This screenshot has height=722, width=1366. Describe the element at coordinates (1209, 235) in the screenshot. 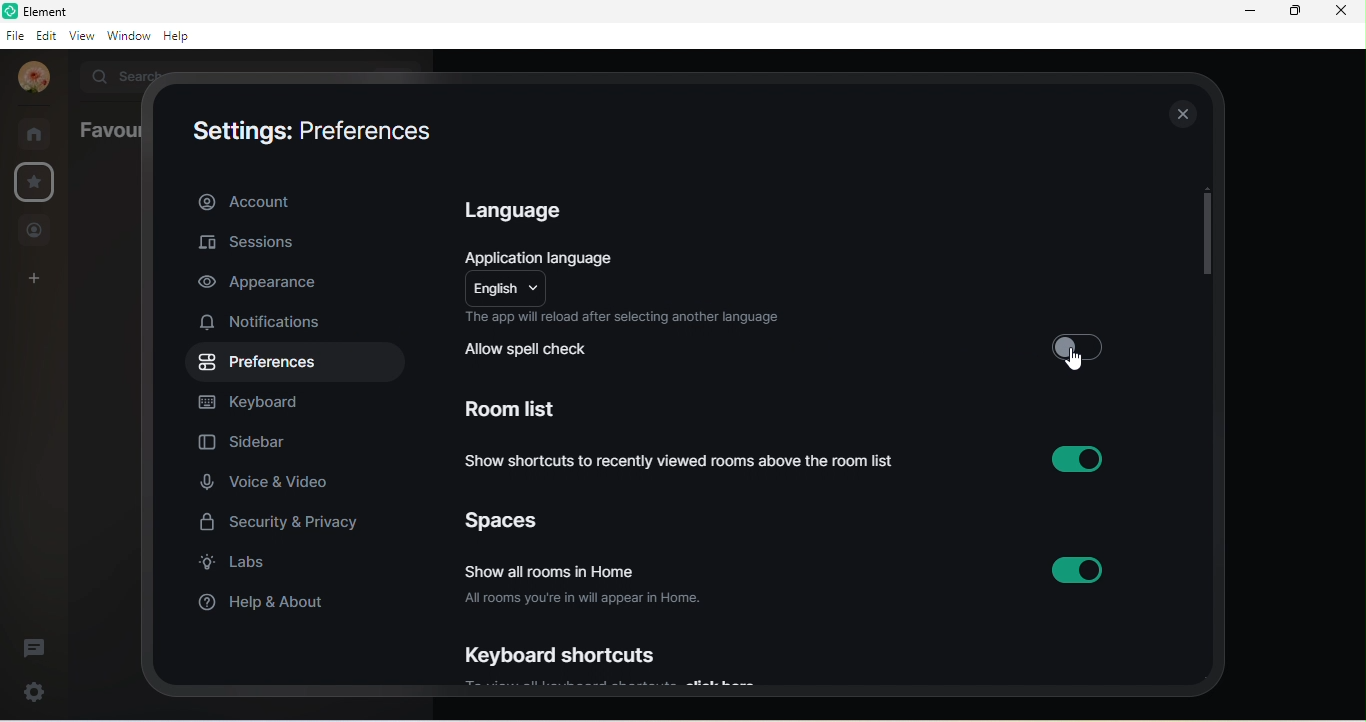

I see `vertical scroll bar` at that location.